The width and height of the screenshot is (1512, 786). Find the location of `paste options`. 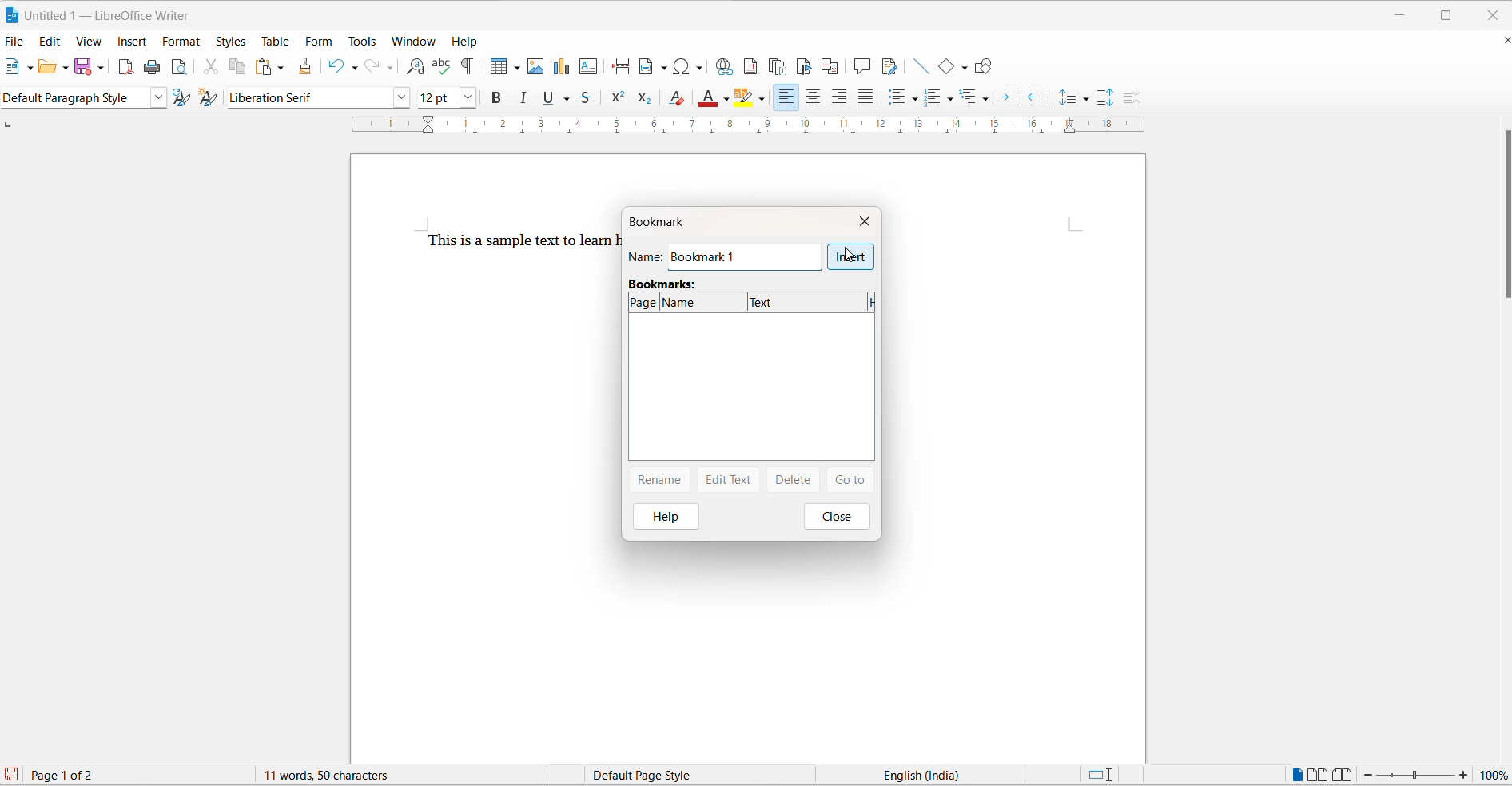

paste options is located at coordinates (281, 68).